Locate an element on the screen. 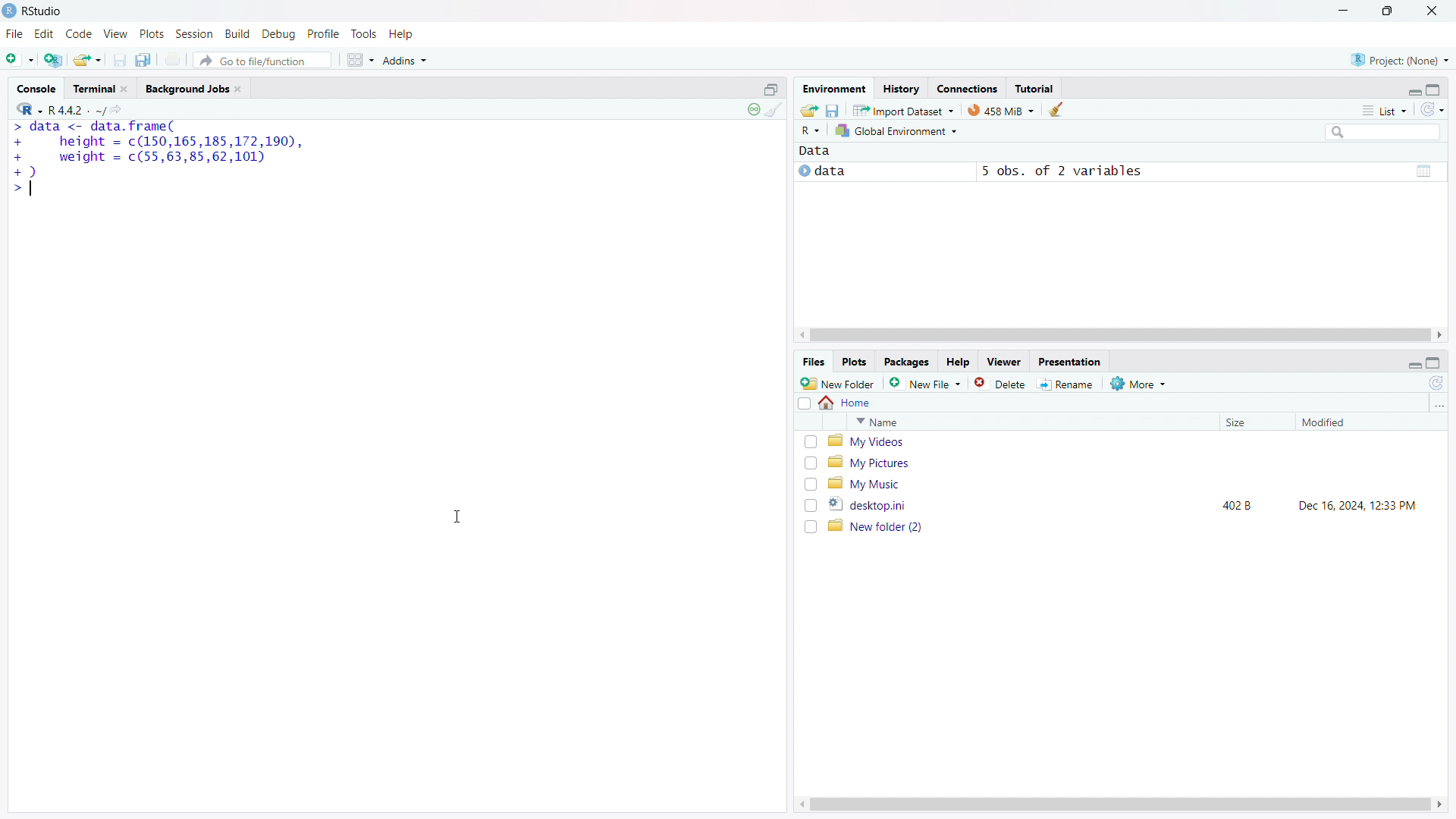 The height and width of the screenshot is (819, 1456). console is located at coordinates (36, 89).